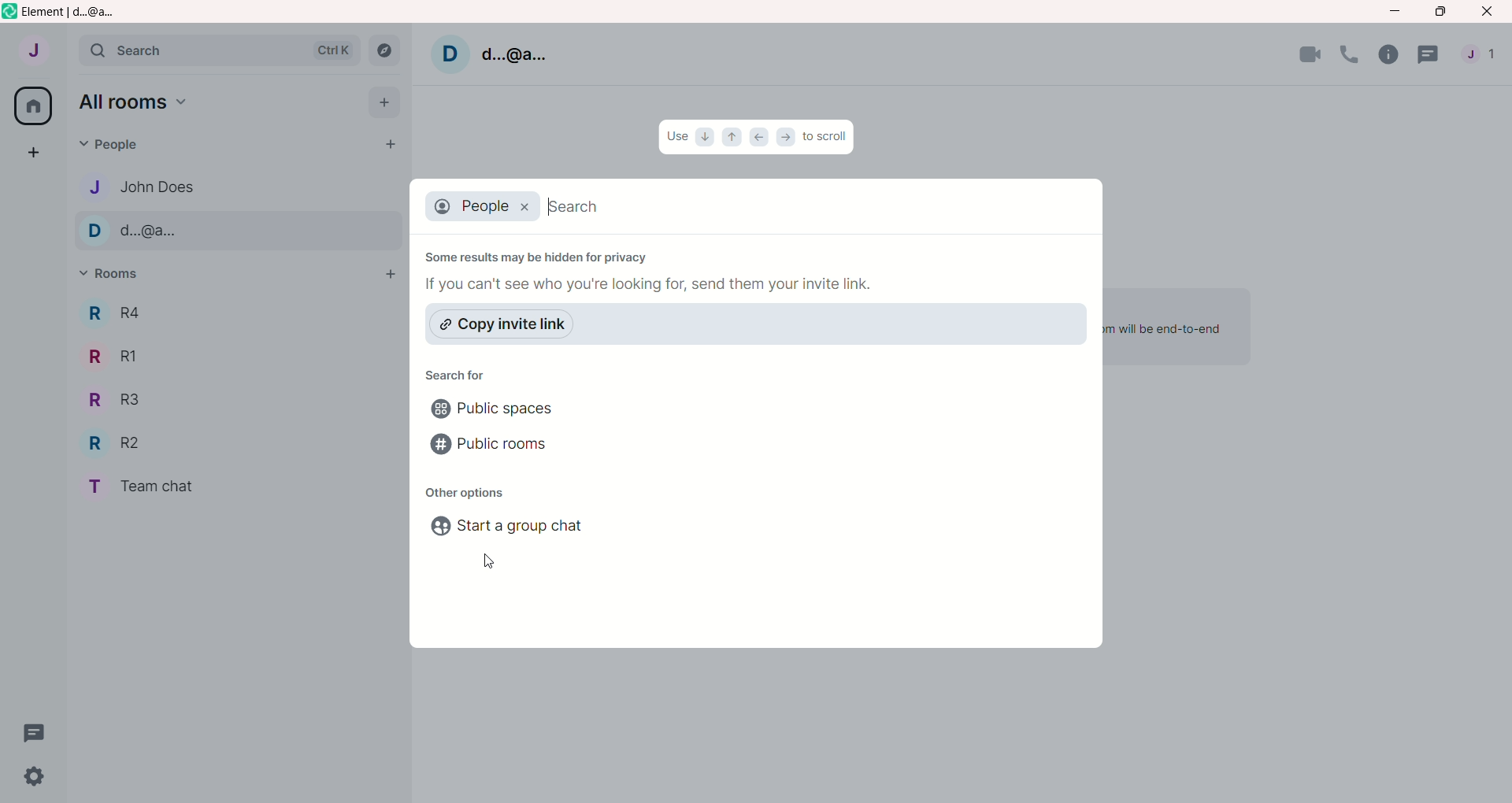  Describe the element at coordinates (1392, 56) in the screenshot. I see `room info` at that location.